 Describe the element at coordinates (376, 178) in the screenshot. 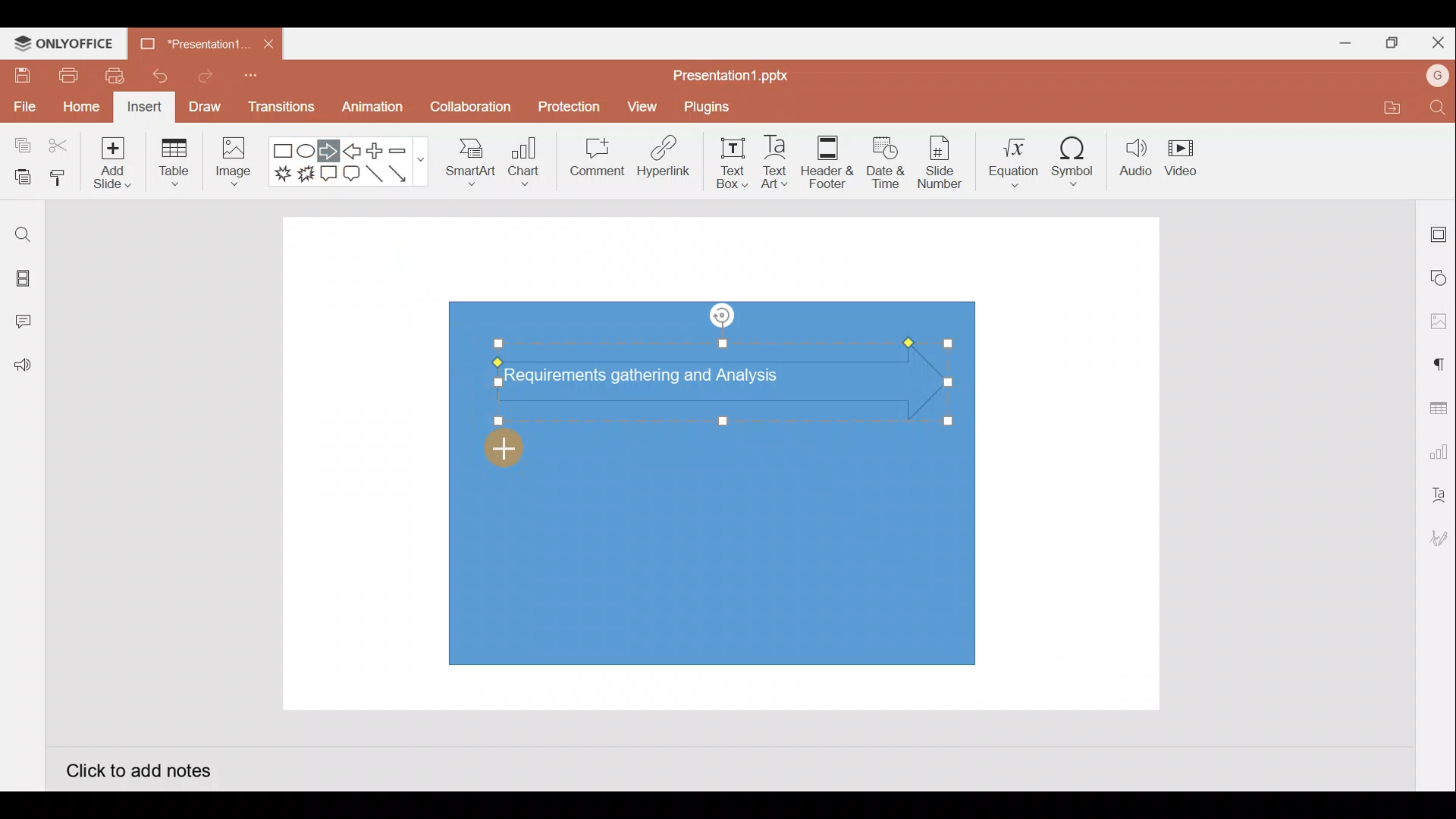

I see `Line` at that location.